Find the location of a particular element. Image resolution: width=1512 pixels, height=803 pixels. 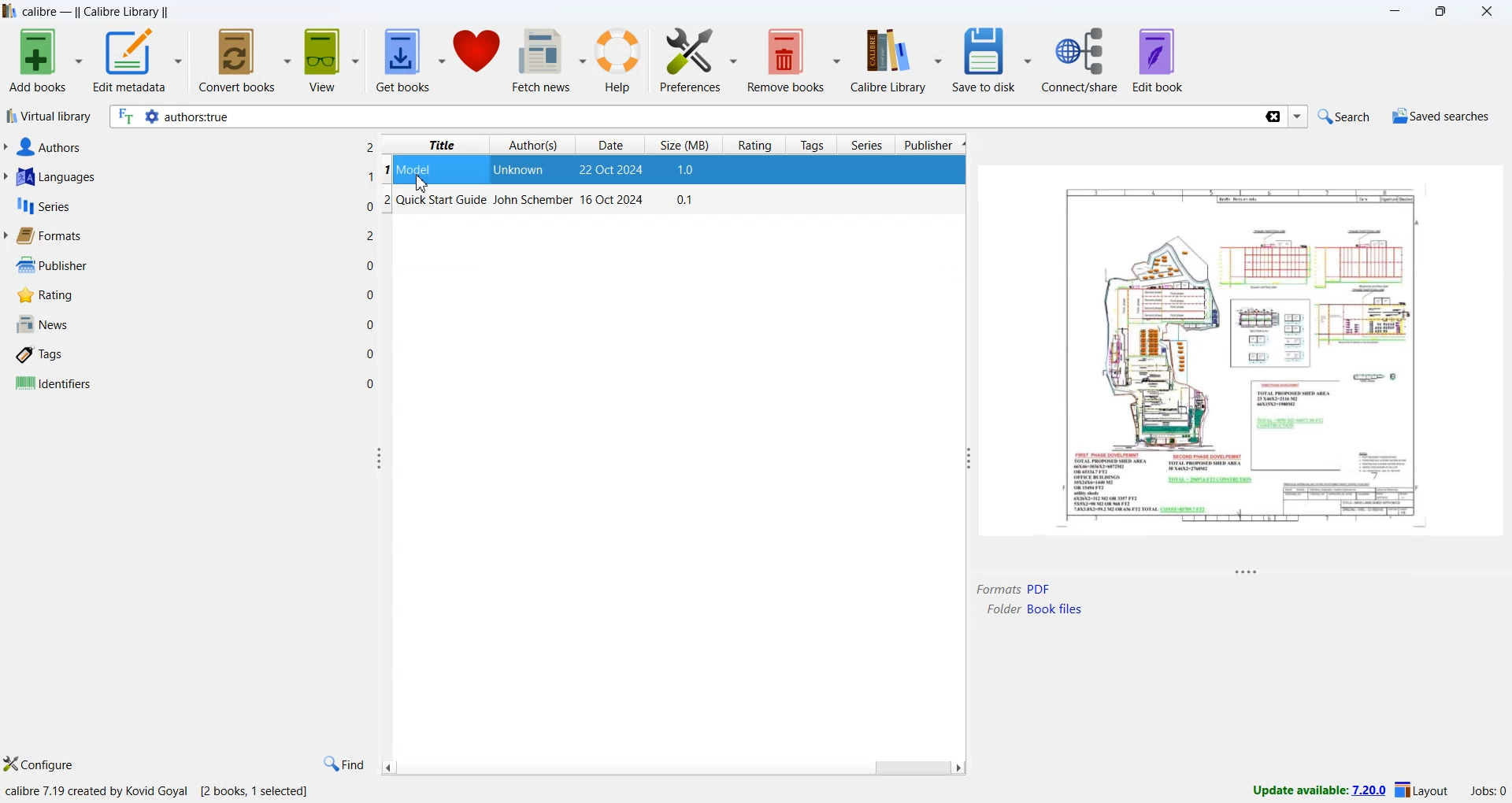

calibre 7.19 created by kovid goyal is located at coordinates (98, 792).